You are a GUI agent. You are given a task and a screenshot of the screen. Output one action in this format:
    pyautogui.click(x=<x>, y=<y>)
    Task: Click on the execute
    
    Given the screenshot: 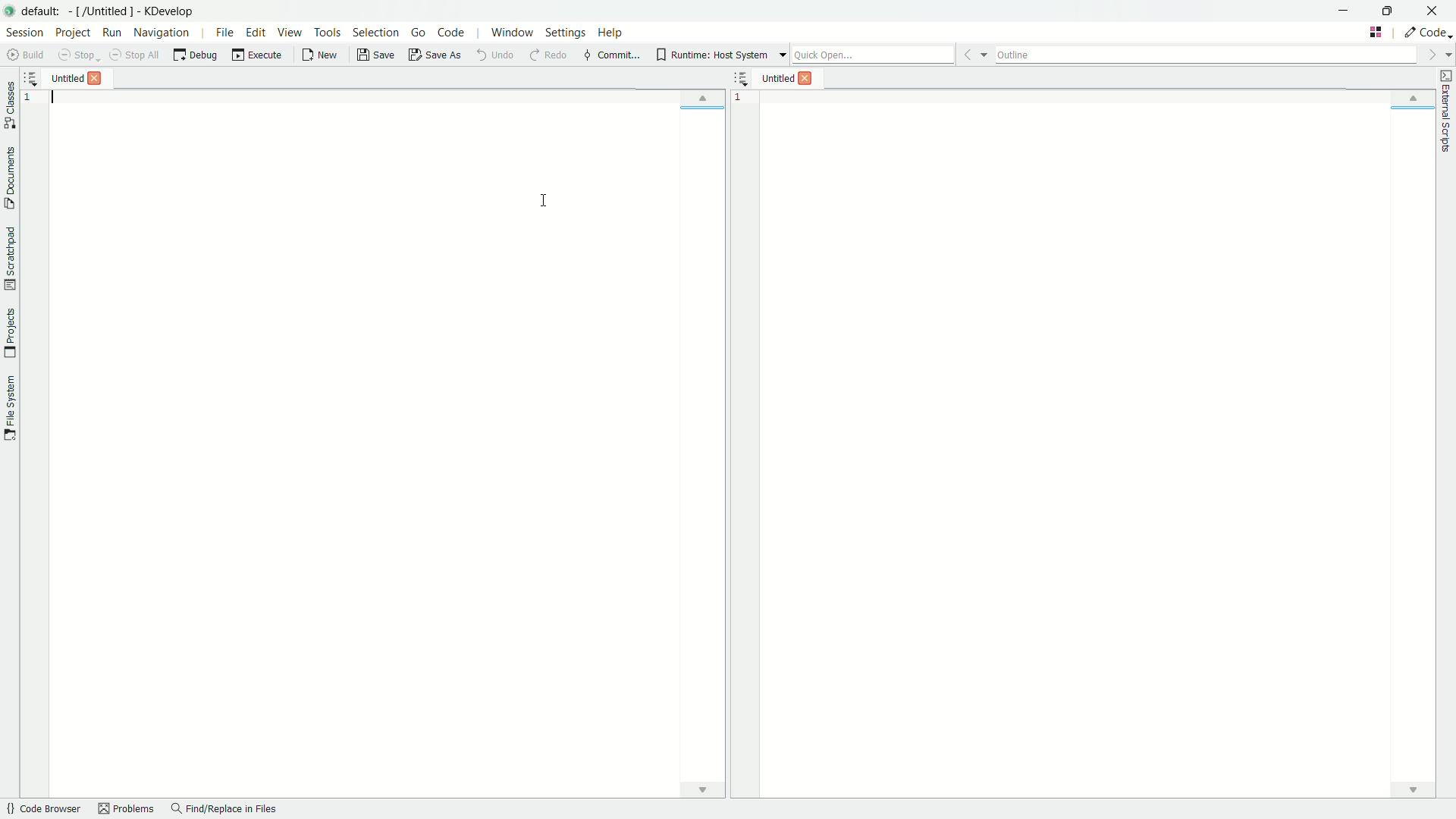 What is the action you would take?
    pyautogui.click(x=257, y=55)
    